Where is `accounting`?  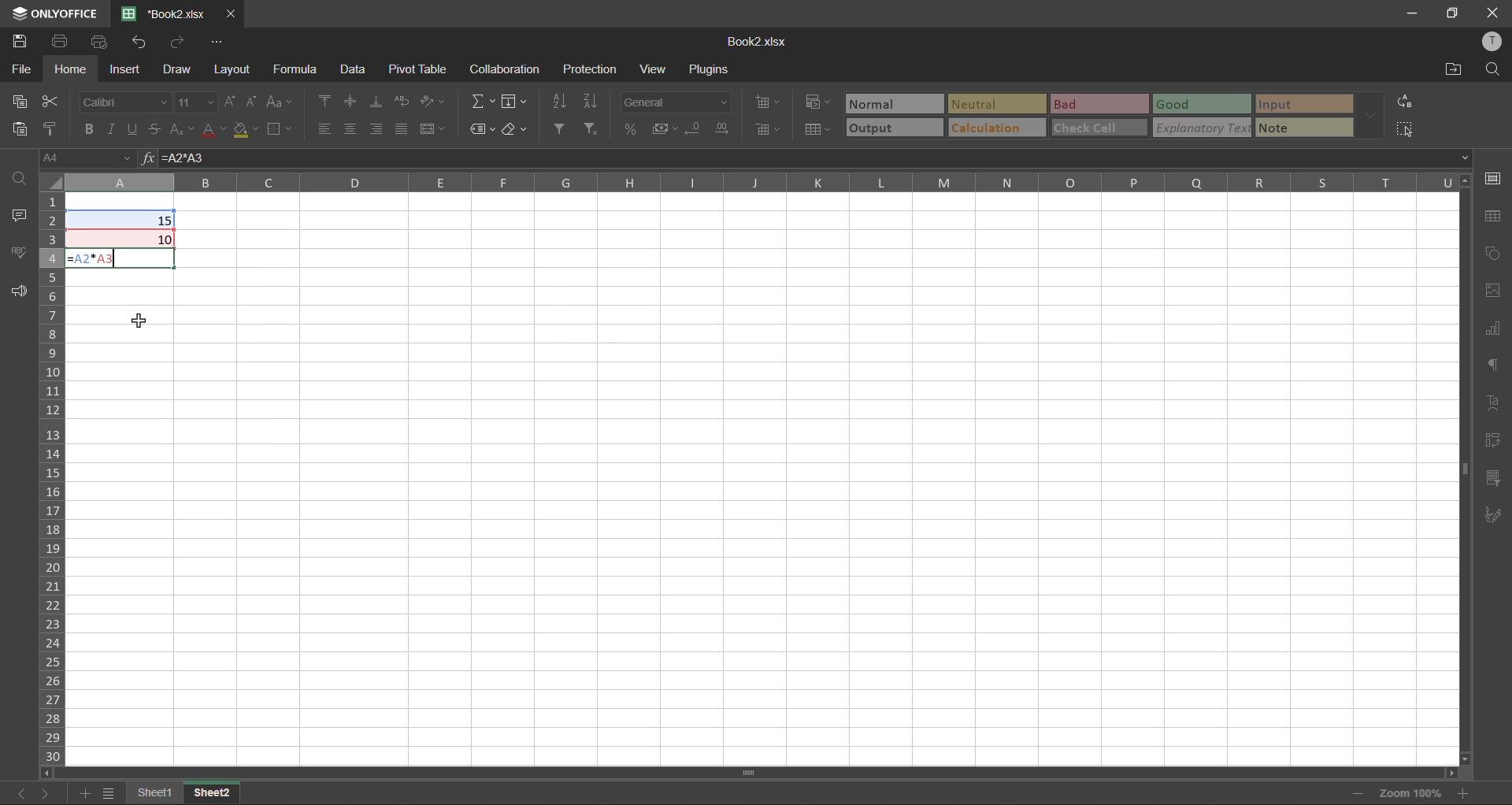 accounting is located at coordinates (665, 128).